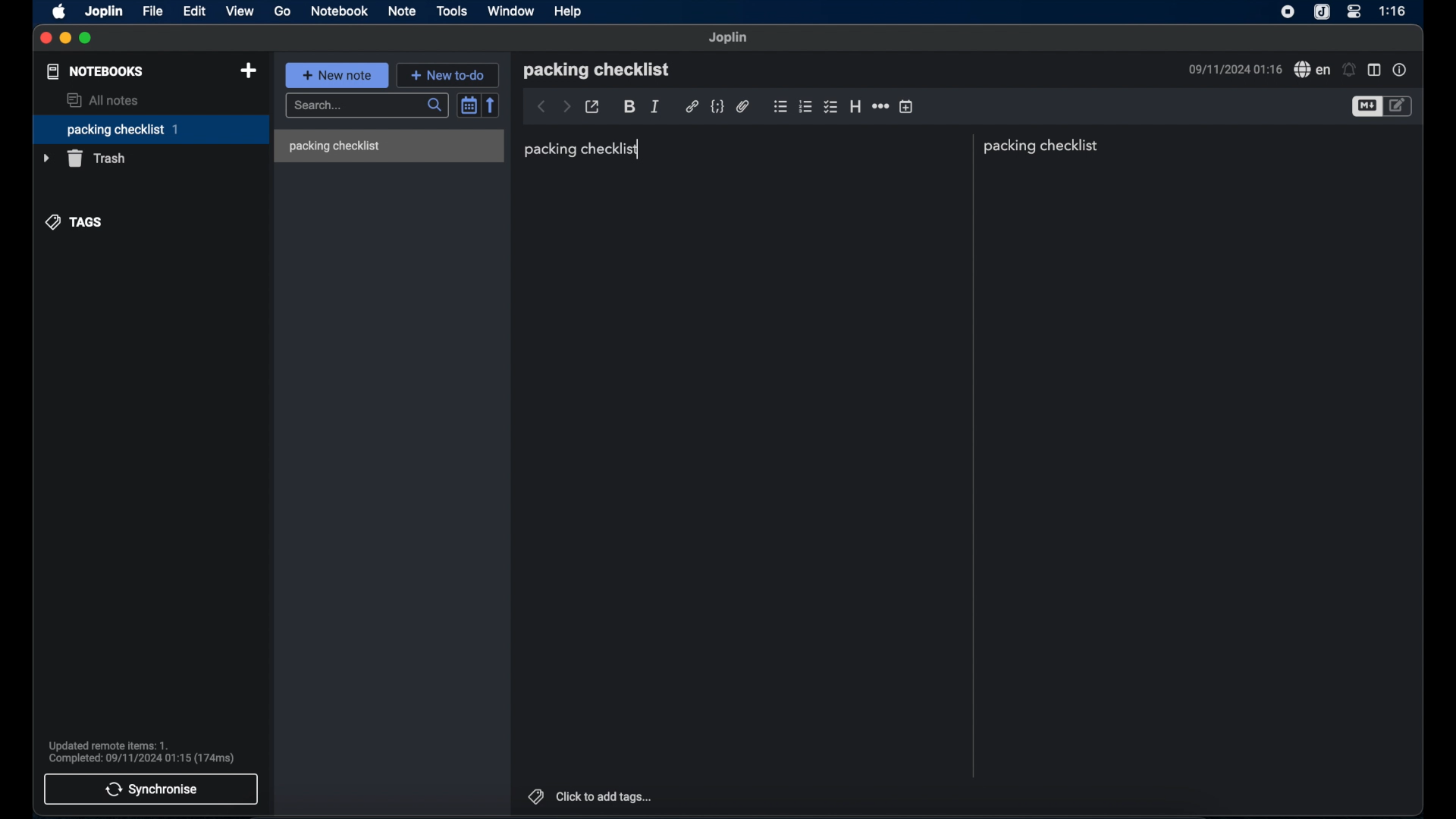  What do you see at coordinates (1399, 107) in the screenshot?
I see `toggle edito` at bounding box center [1399, 107].